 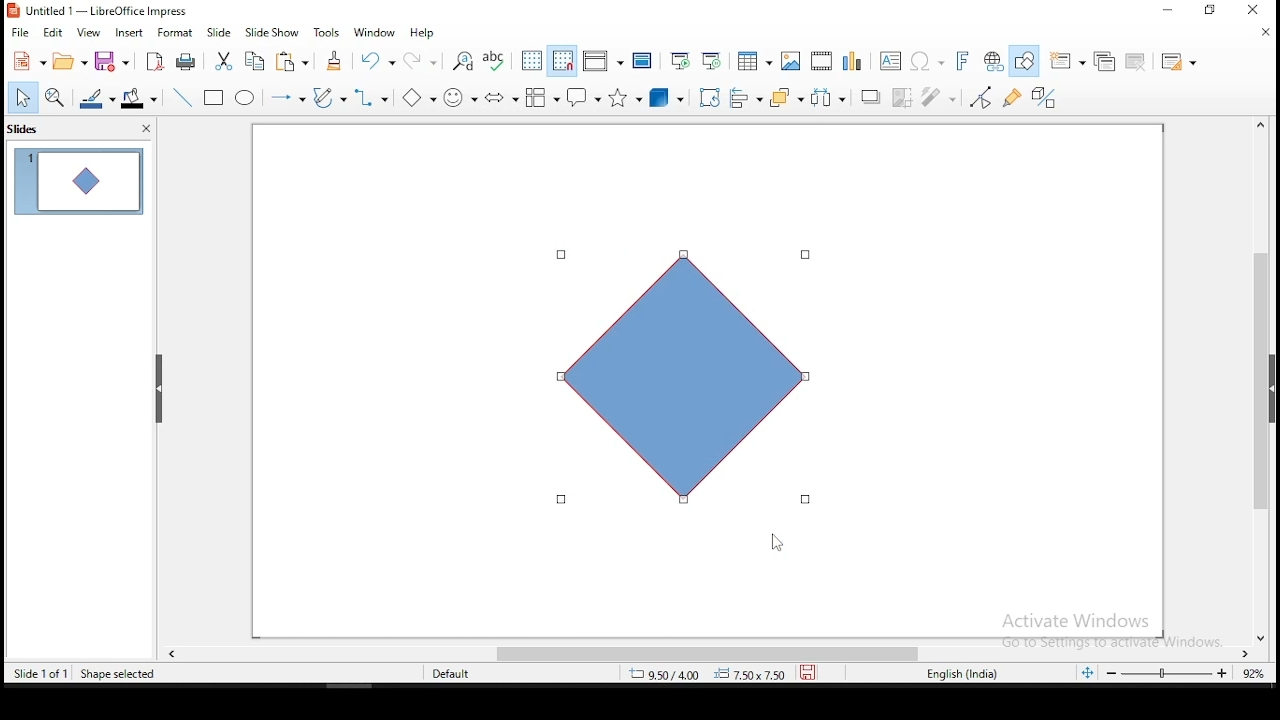 I want to click on shape selected, so click(x=118, y=674).